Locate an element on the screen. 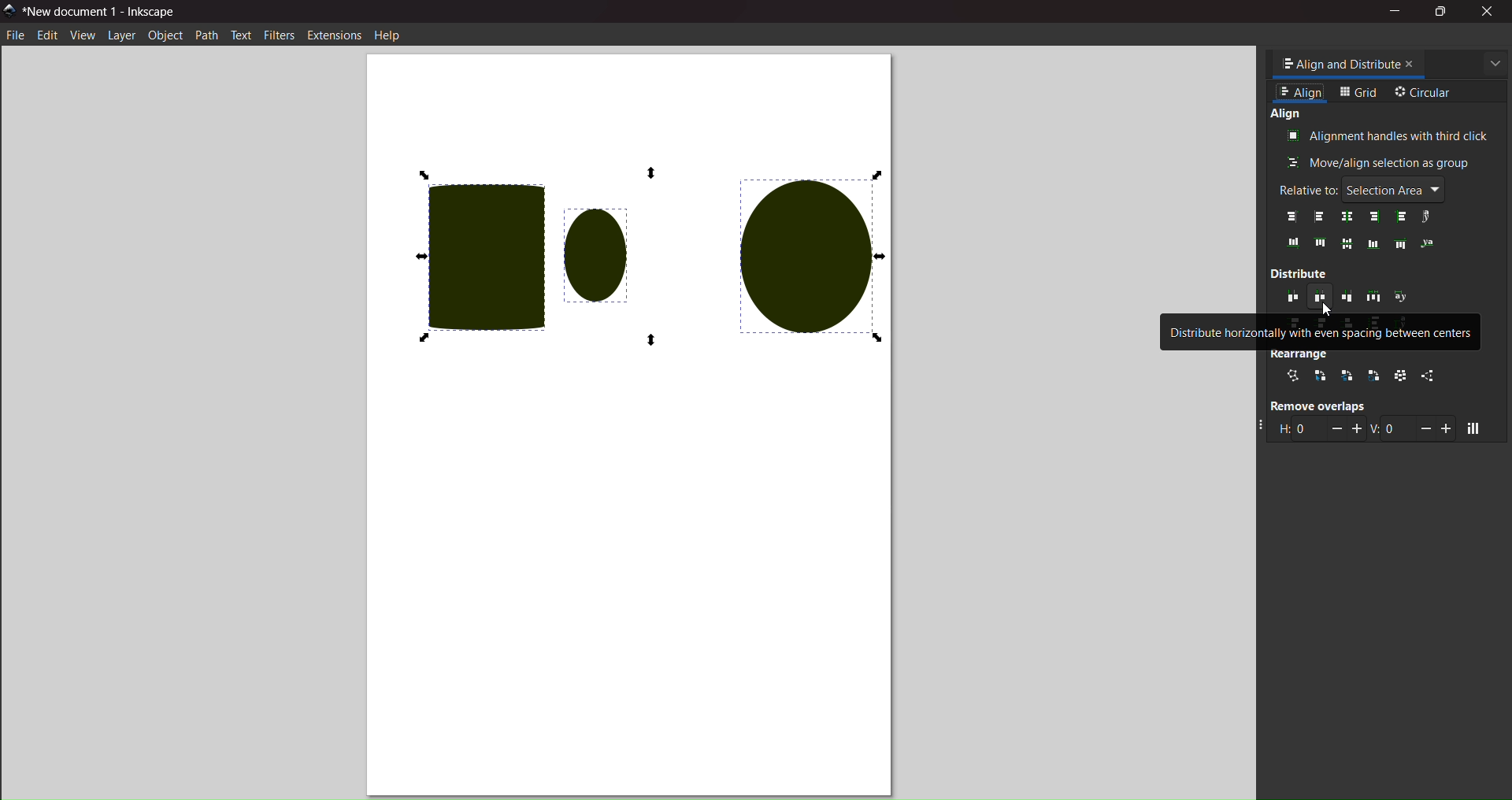 The width and height of the screenshot is (1512, 800). logo is located at coordinates (11, 10).